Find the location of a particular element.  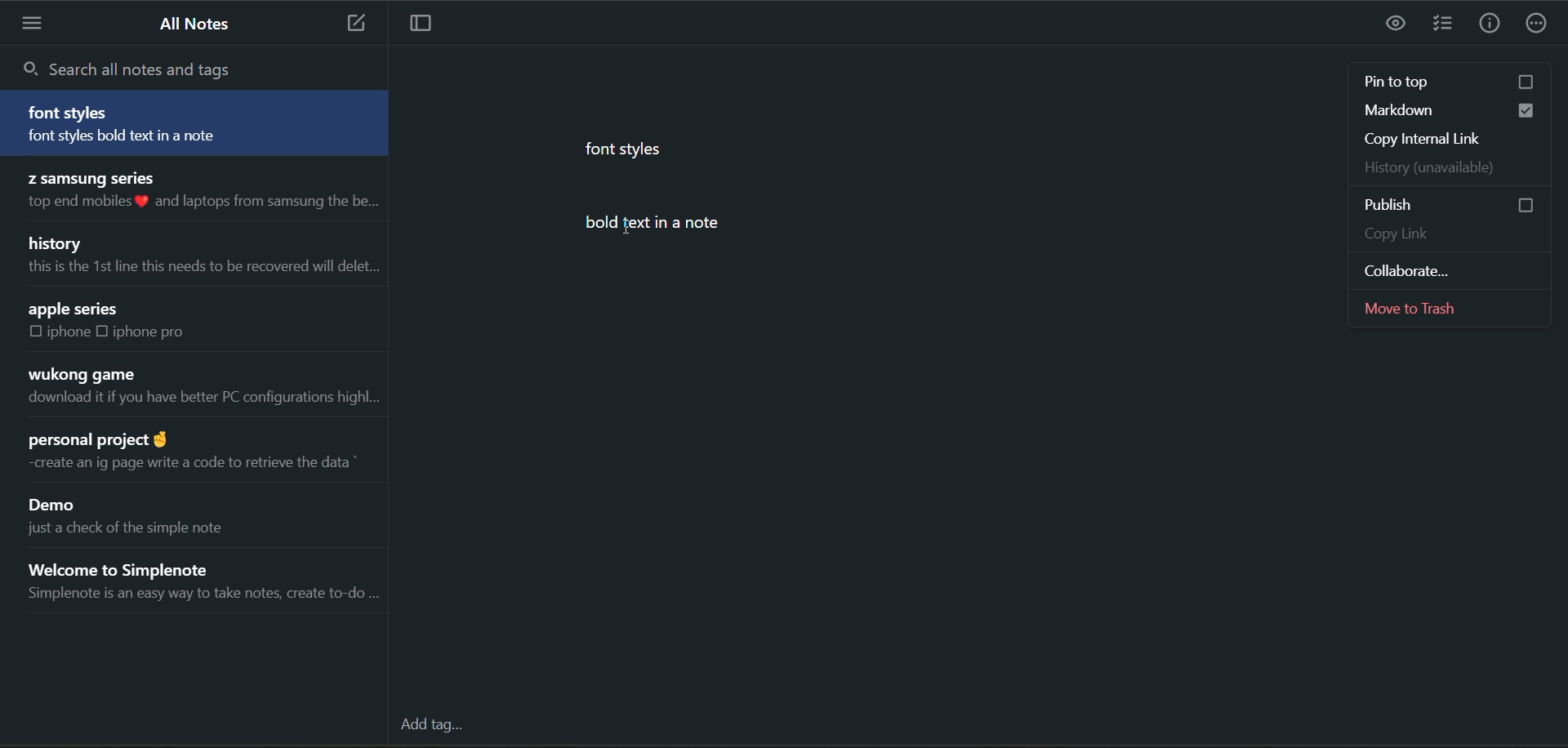

collaborate is located at coordinates (1441, 268).